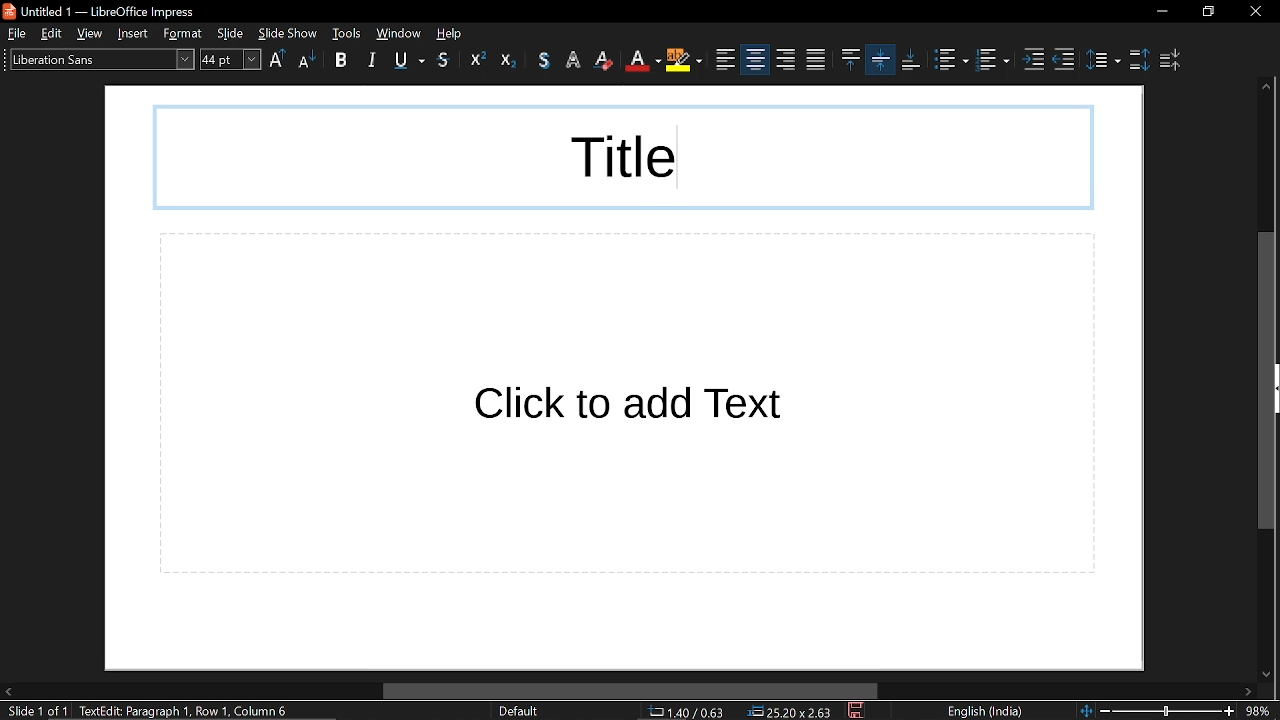 The height and width of the screenshot is (720, 1280). Describe the element at coordinates (137, 33) in the screenshot. I see `insert` at that location.